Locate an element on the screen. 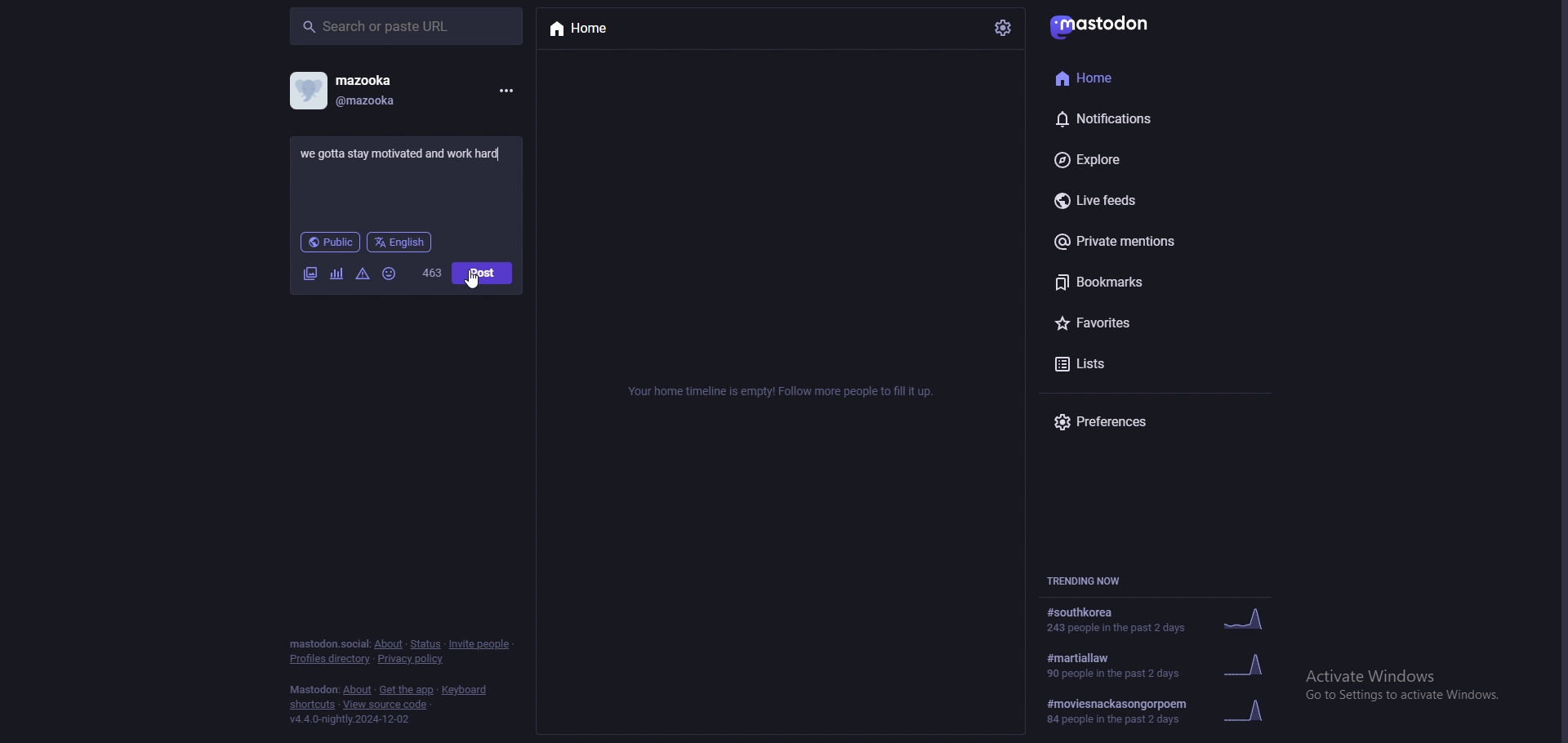 The height and width of the screenshot is (743, 1568). emoji is located at coordinates (390, 274).